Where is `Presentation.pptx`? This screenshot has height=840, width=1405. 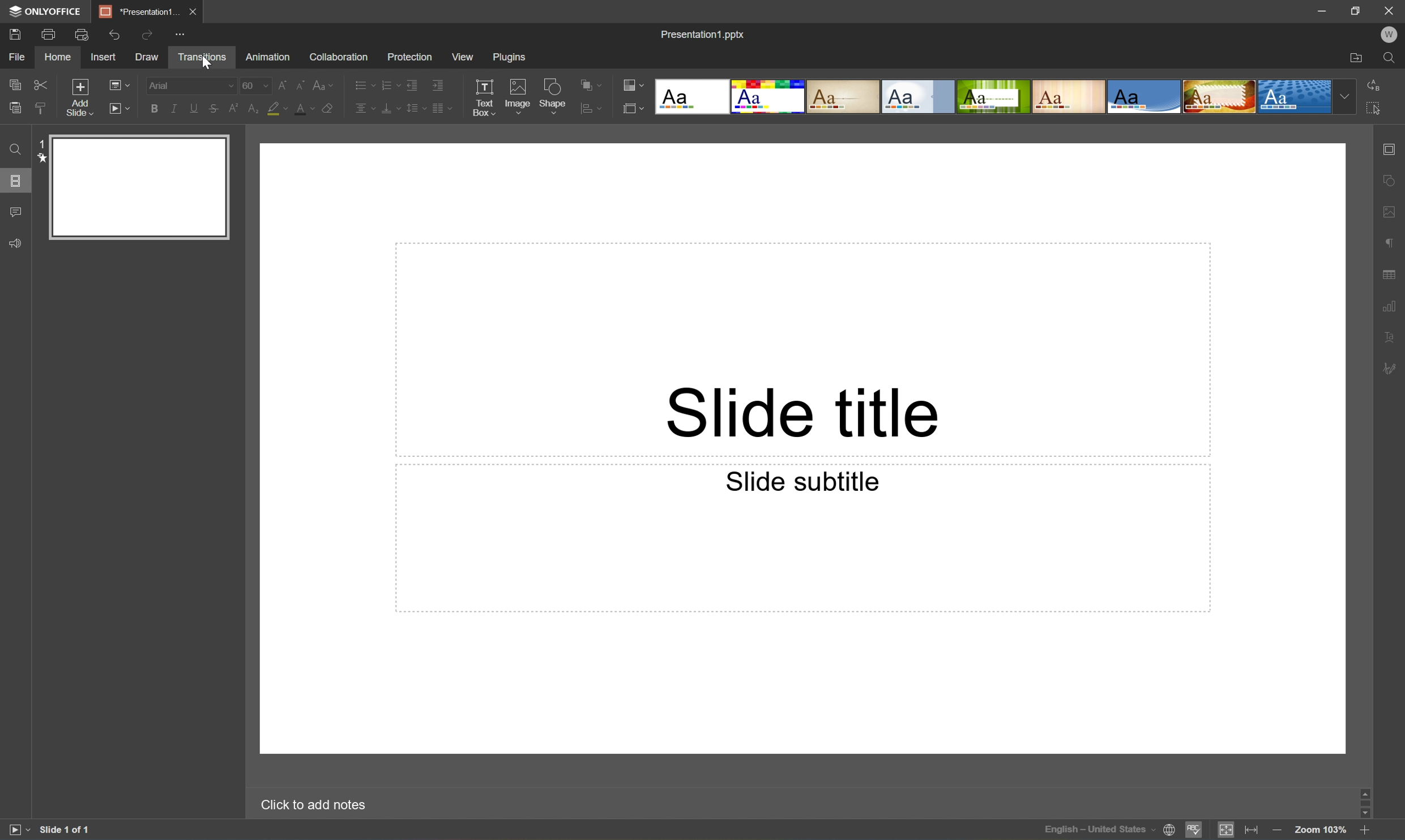 Presentation.pptx is located at coordinates (704, 34).